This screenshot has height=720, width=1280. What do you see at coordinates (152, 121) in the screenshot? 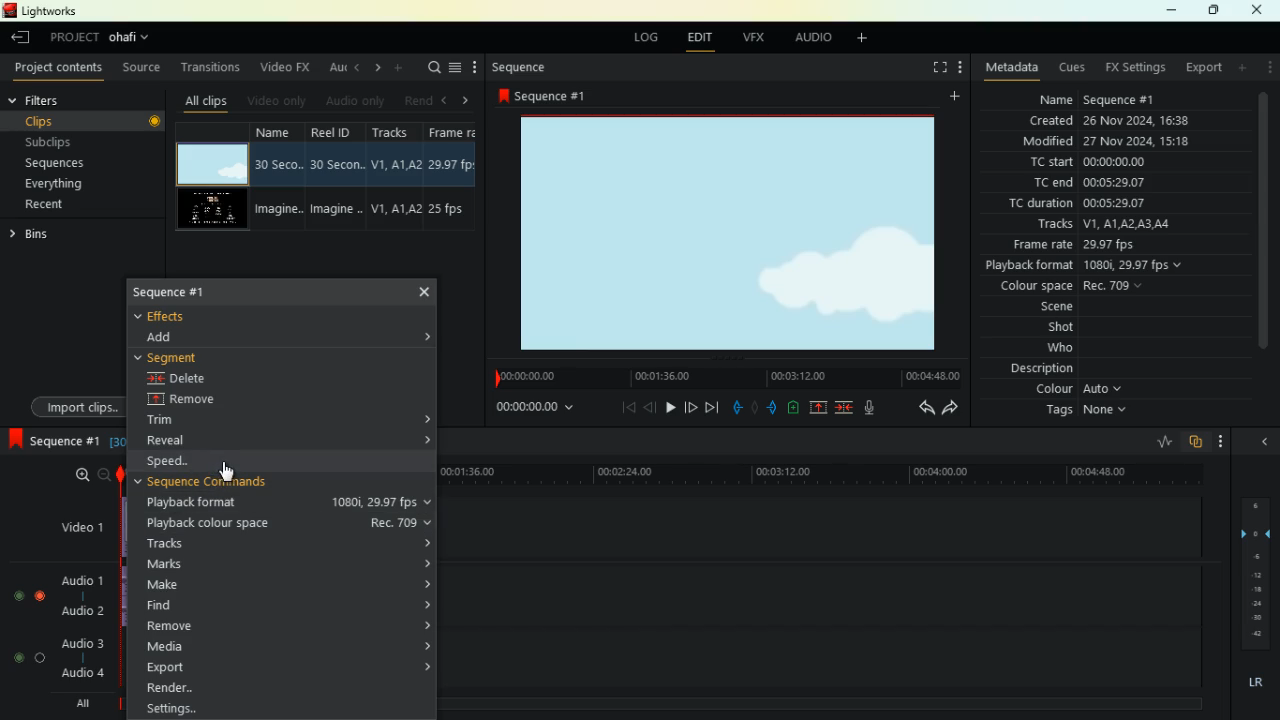
I see `button` at bounding box center [152, 121].